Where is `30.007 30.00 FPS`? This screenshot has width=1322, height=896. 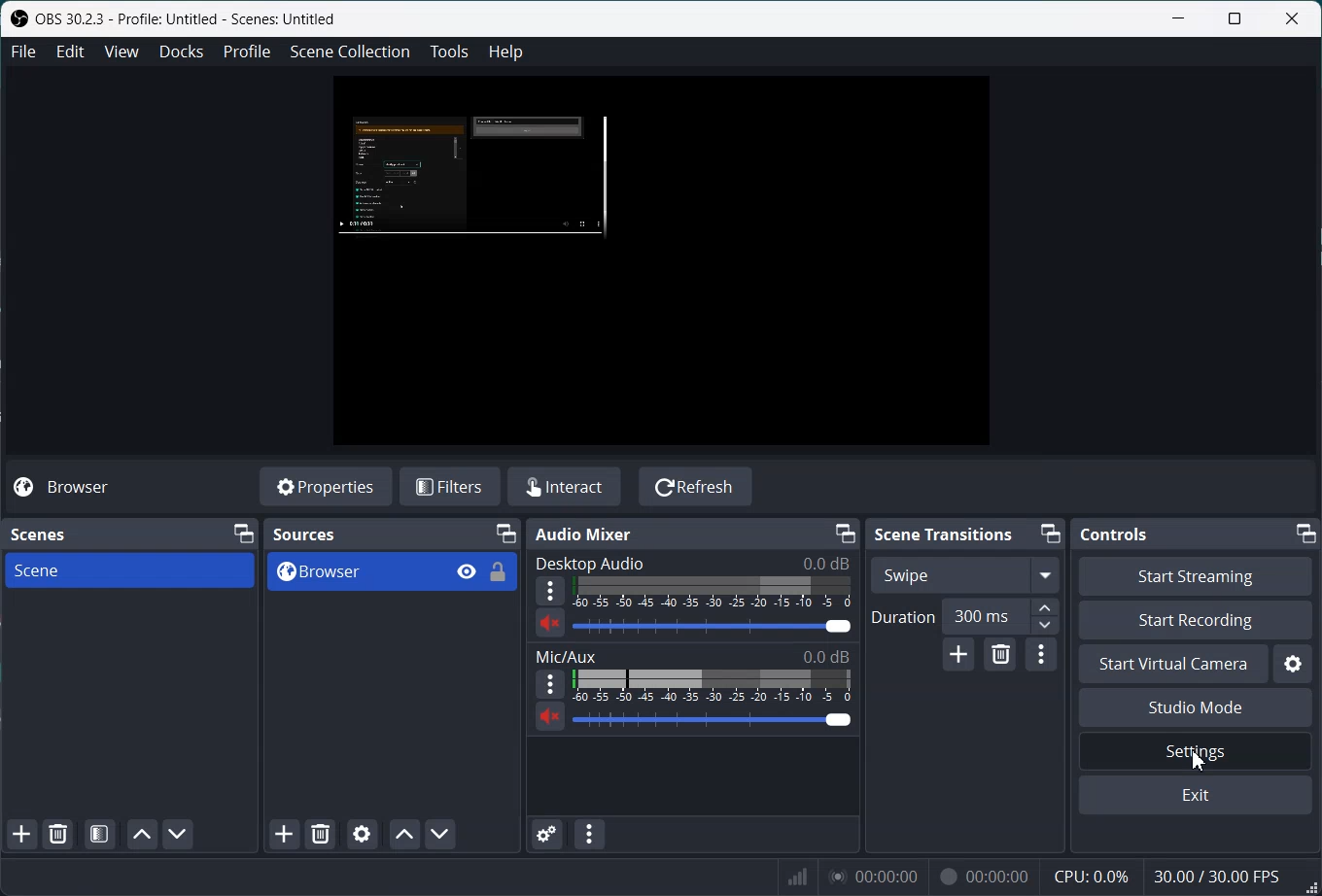 30.007 30.00 FPS is located at coordinates (1217, 875).